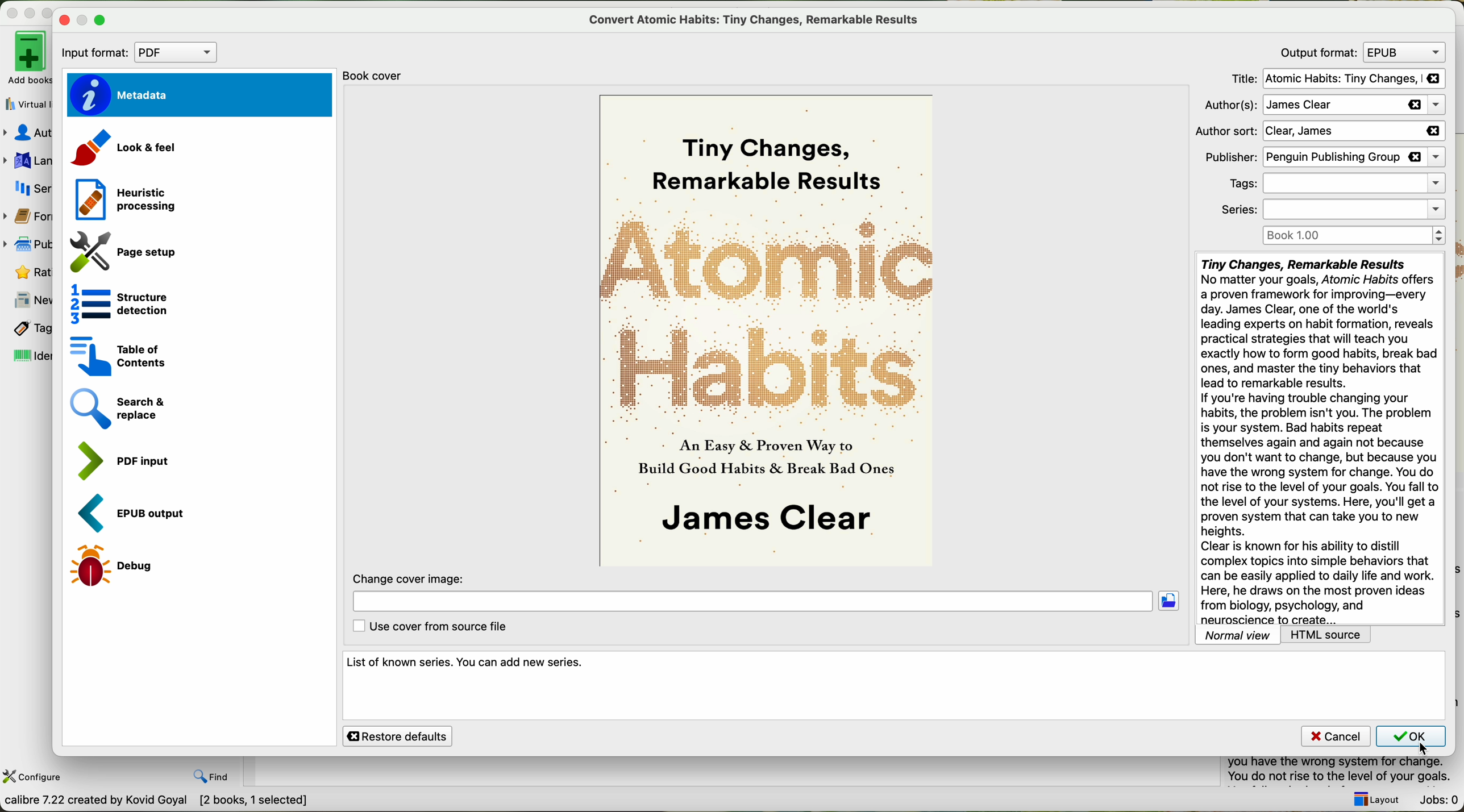 This screenshot has height=812, width=1464. What do you see at coordinates (26, 60) in the screenshot?
I see `add books` at bounding box center [26, 60].